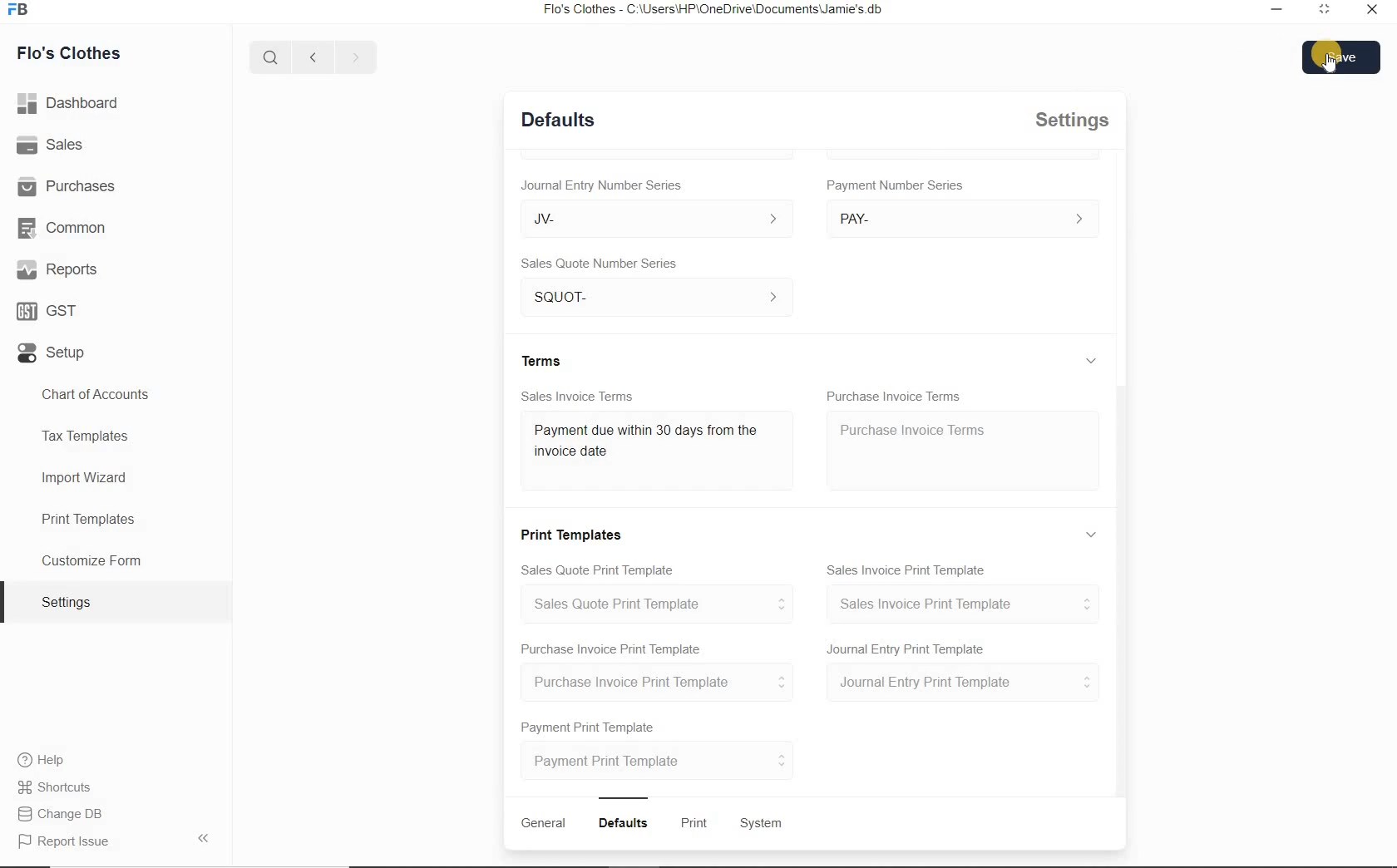  Describe the element at coordinates (116, 395) in the screenshot. I see `Chart of accounts` at that location.